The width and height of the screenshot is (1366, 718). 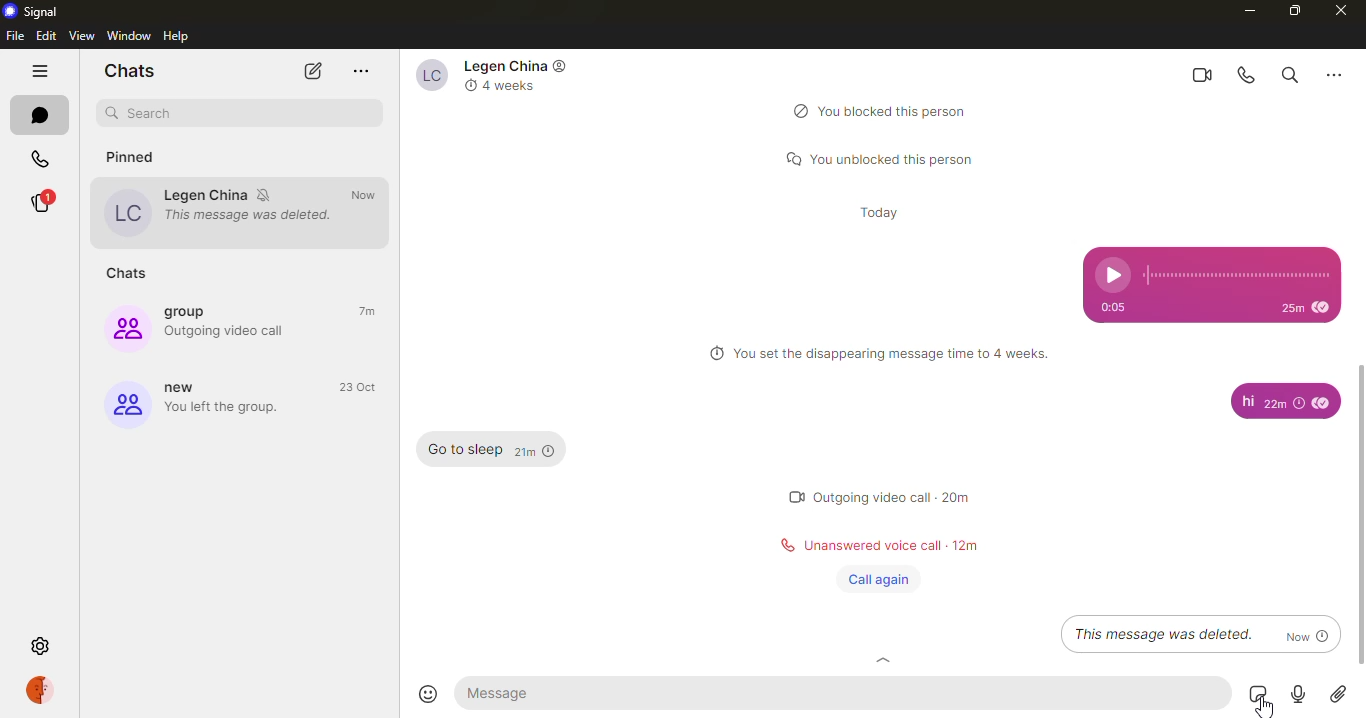 I want to click on settings, so click(x=41, y=647).